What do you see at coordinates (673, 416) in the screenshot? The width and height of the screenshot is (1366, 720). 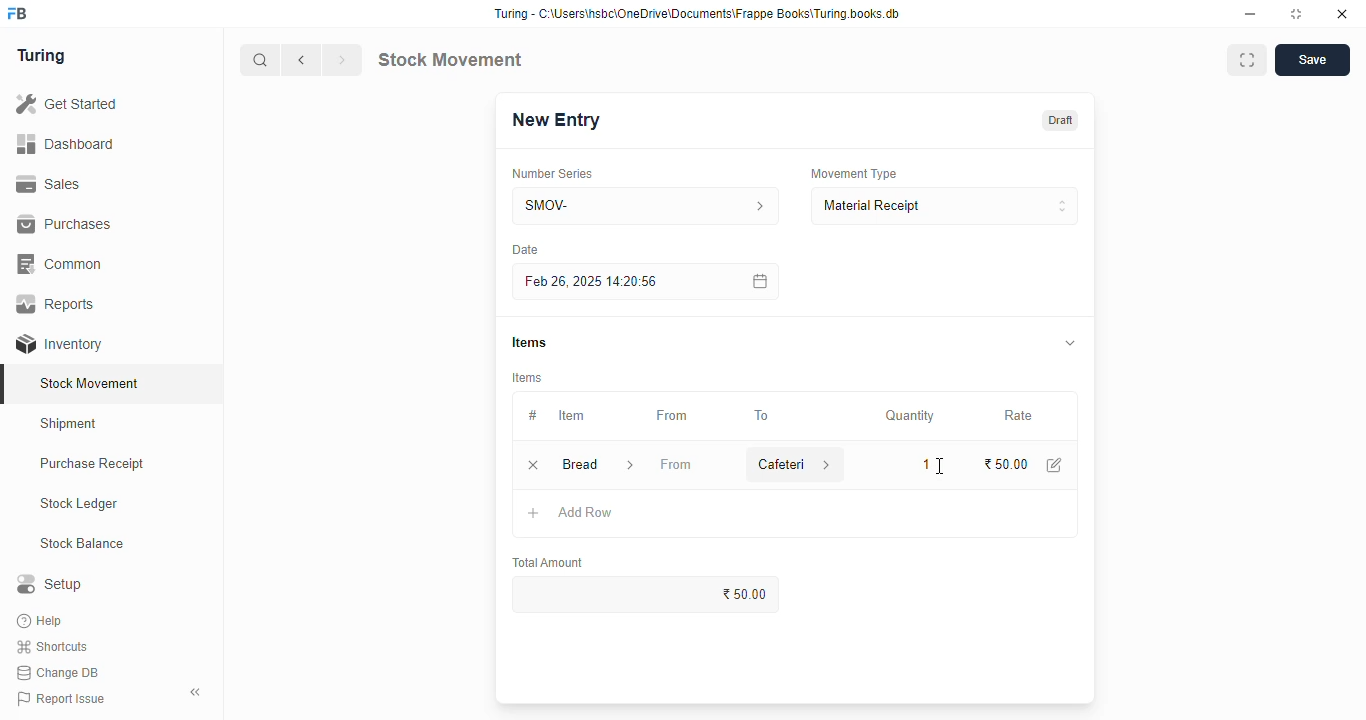 I see `from` at bounding box center [673, 416].